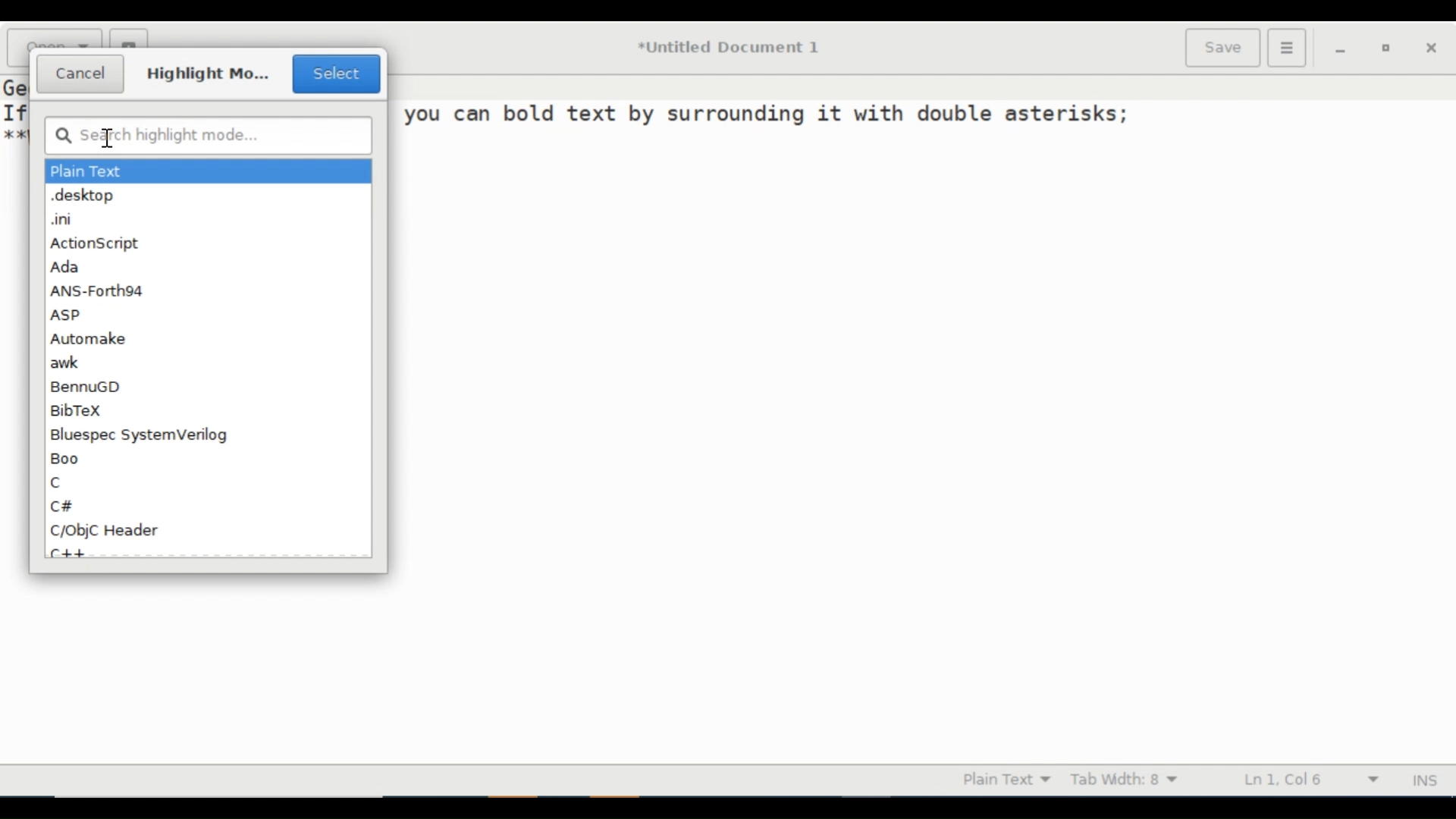 This screenshot has width=1456, height=819. What do you see at coordinates (1391, 48) in the screenshot?
I see `restore` at bounding box center [1391, 48].